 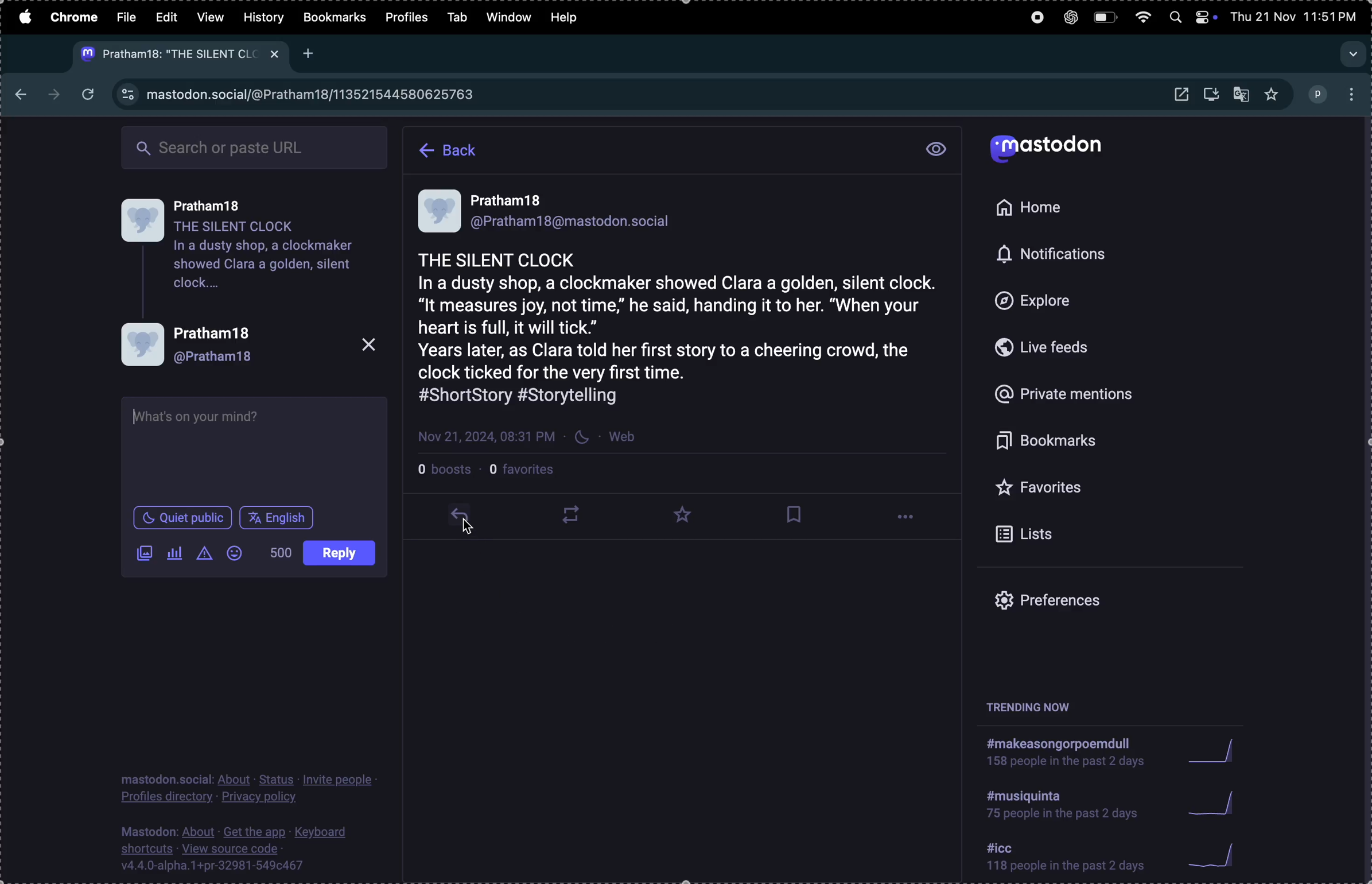 What do you see at coordinates (1144, 18) in the screenshot?
I see `wifi` at bounding box center [1144, 18].